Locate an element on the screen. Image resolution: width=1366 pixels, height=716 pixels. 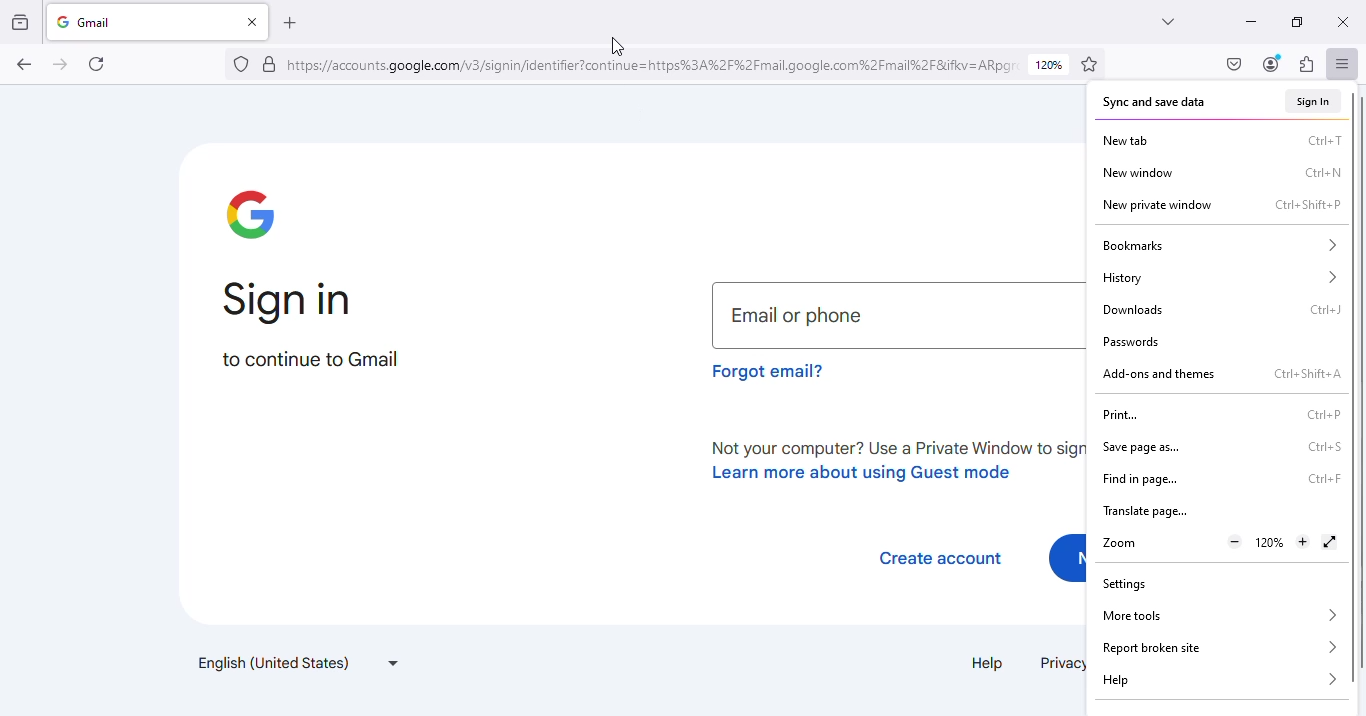
shortcut for find in page is located at coordinates (1323, 479).